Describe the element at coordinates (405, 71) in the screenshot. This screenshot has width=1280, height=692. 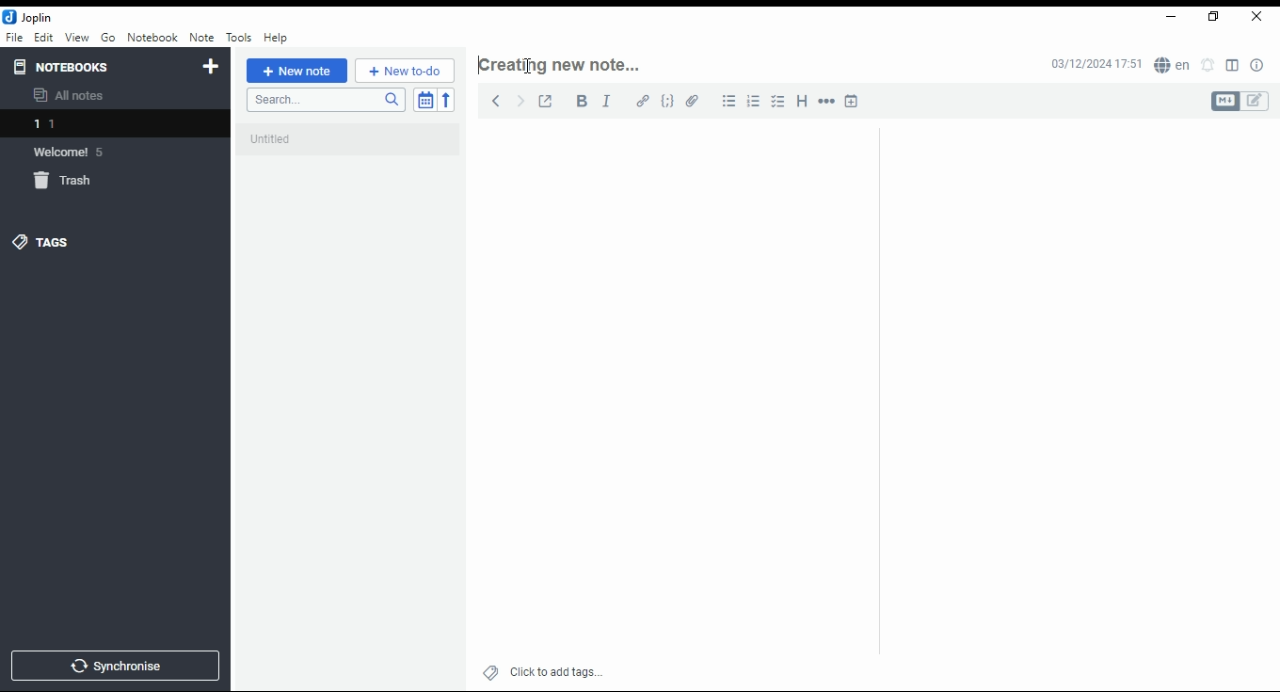
I see `new to-do list` at that location.